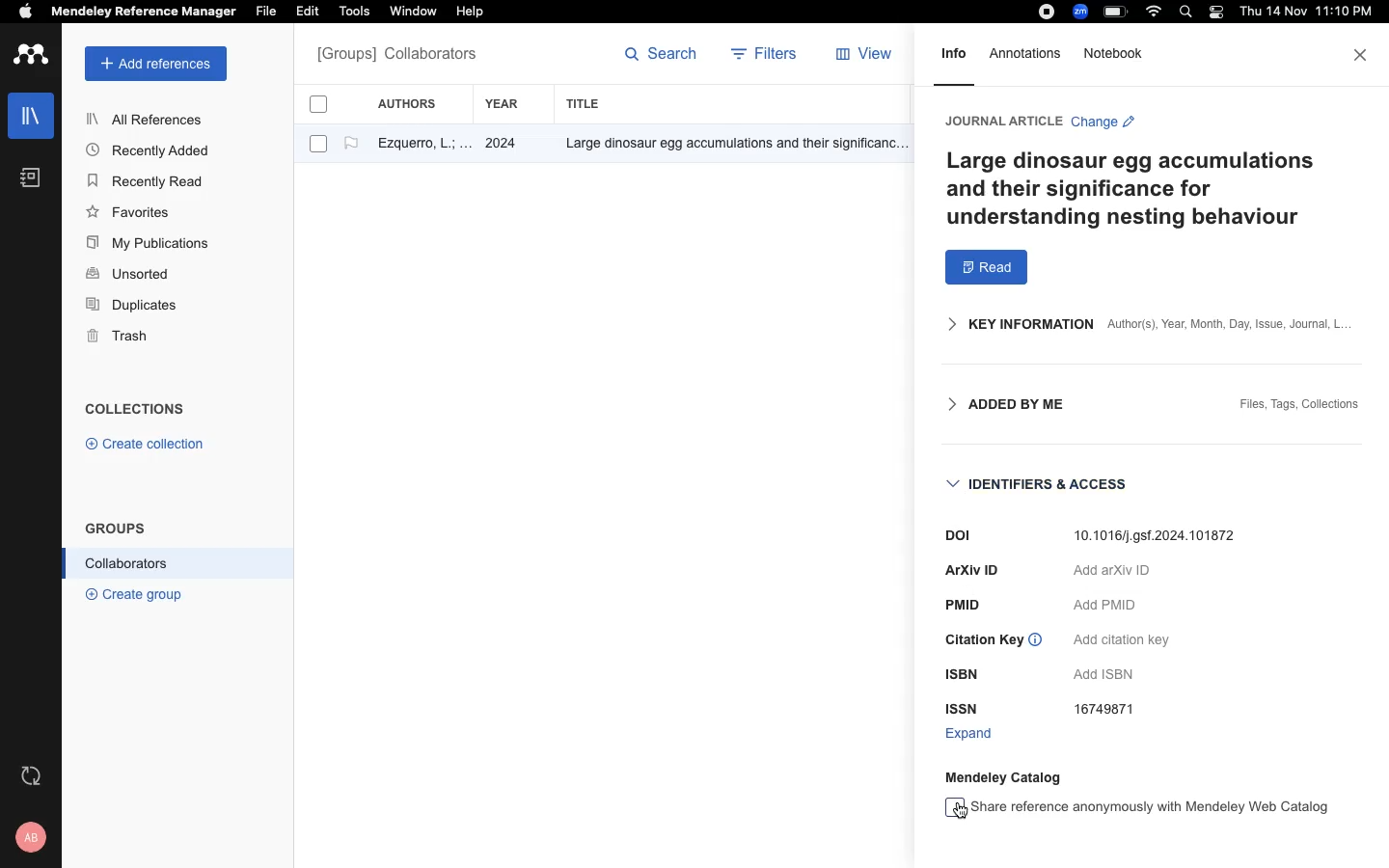  What do you see at coordinates (132, 211) in the screenshot?
I see `Favorites` at bounding box center [132, 211].